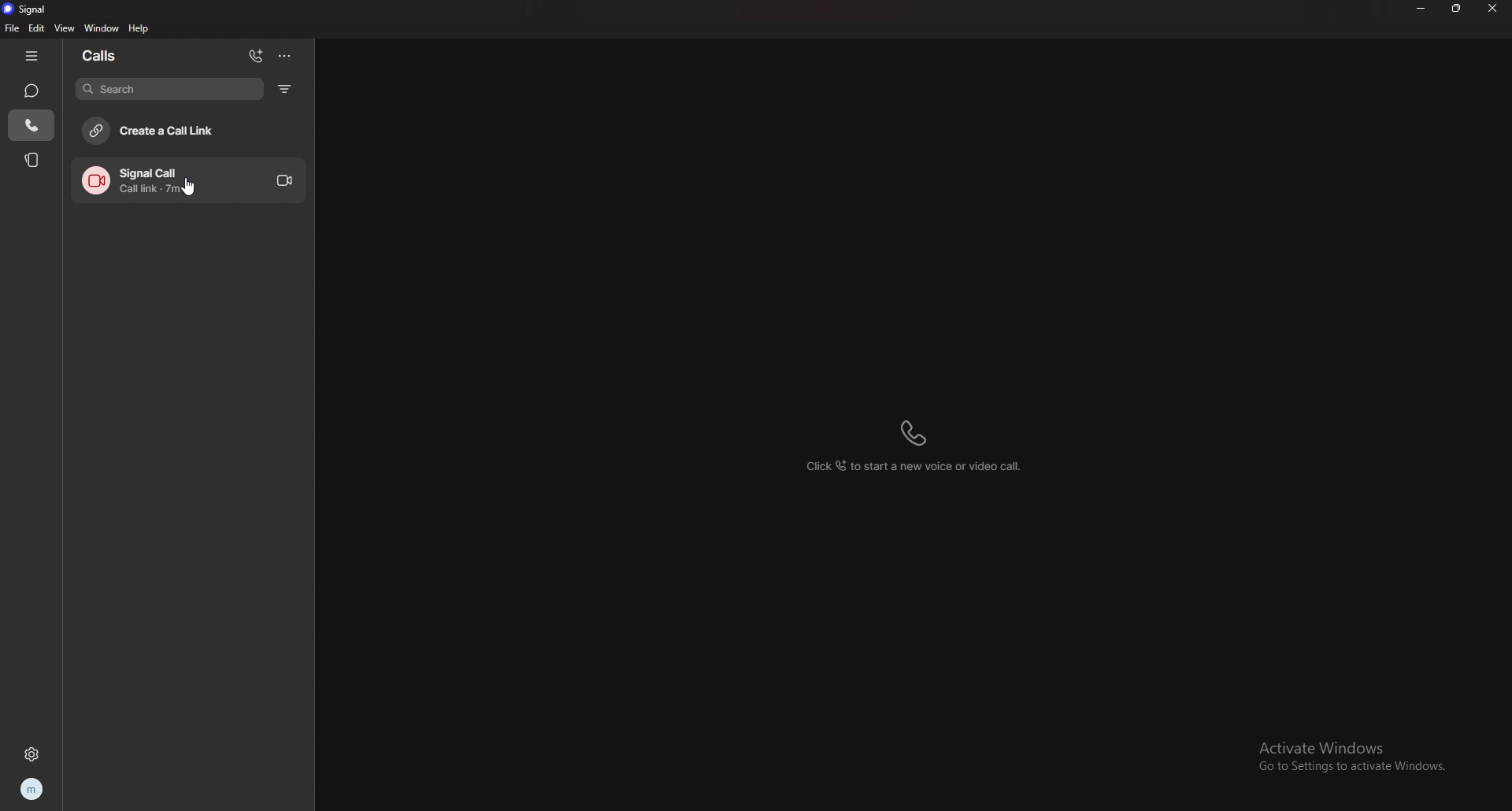  I want to click on cursor, so click(189, 187).